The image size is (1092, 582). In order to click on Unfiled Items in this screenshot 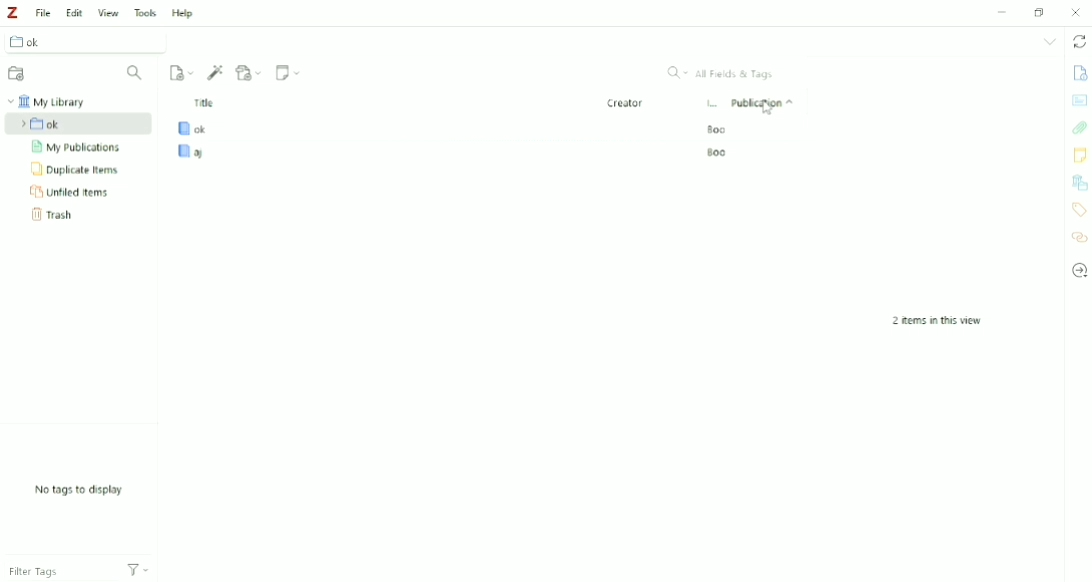, I will do `click(71, 194)`.